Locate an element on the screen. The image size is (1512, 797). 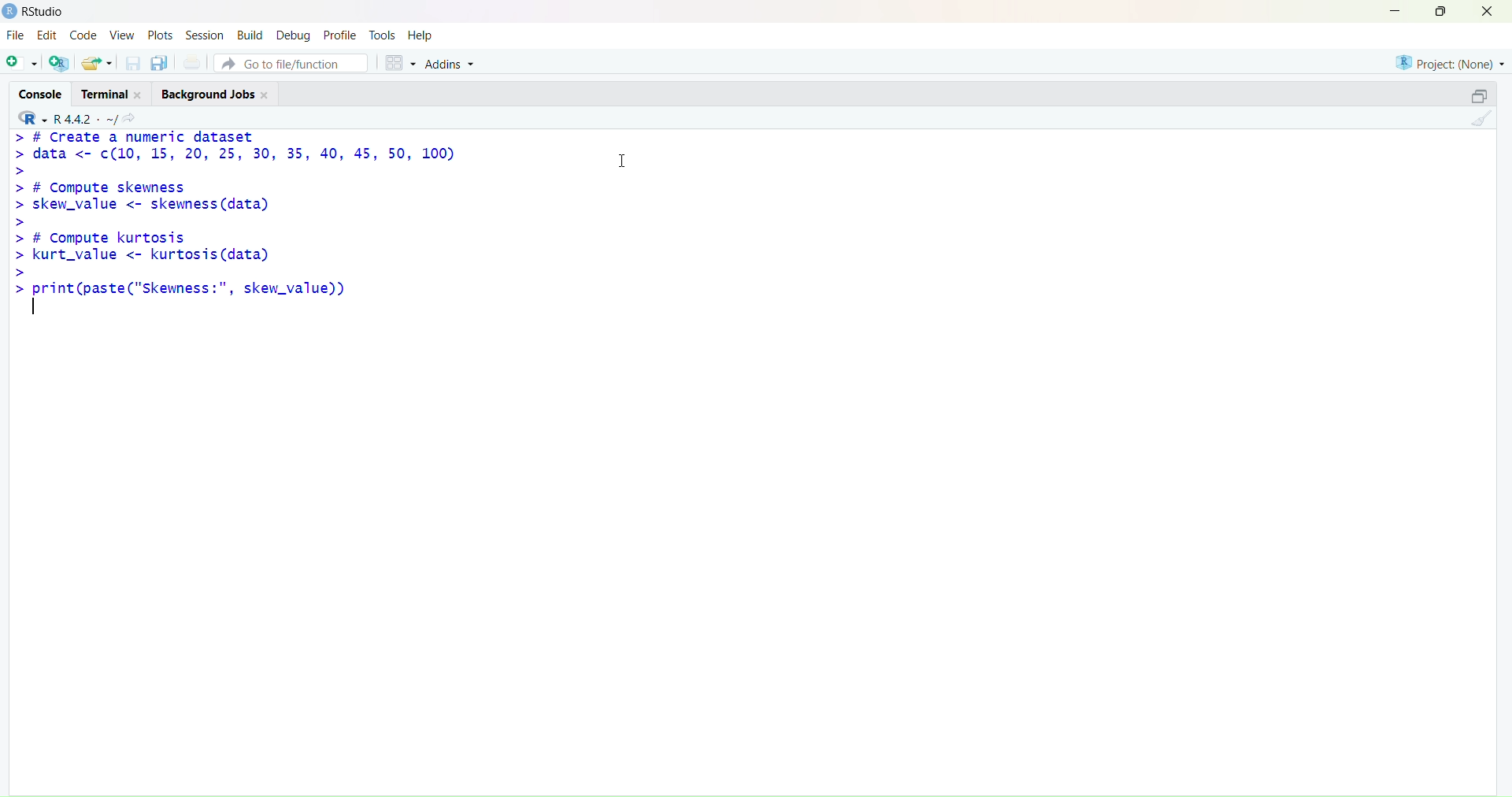
Maximize is located at coordinates (1440, 13).